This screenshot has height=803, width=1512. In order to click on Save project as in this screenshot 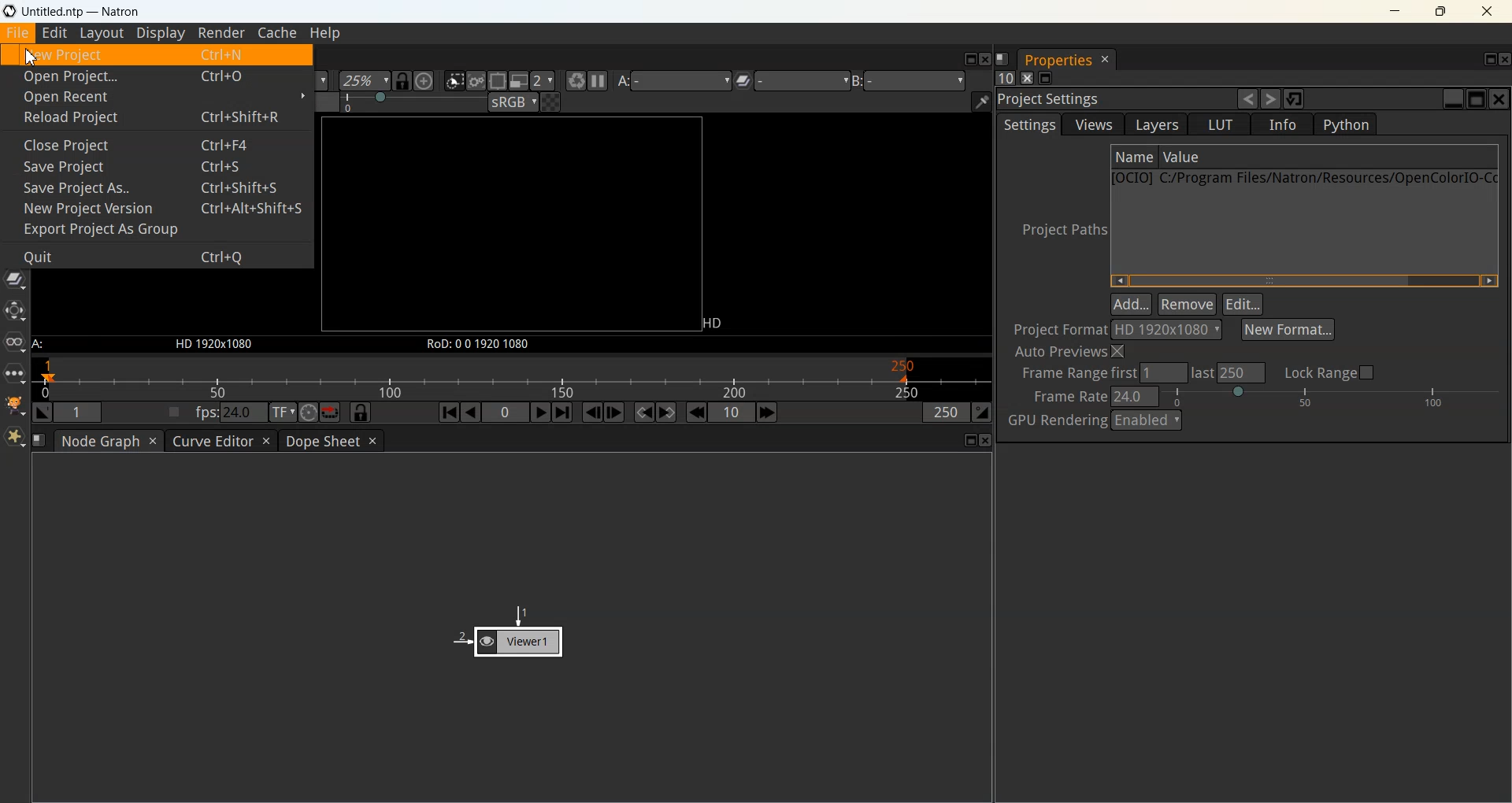, I will do `click(156, 187)`.